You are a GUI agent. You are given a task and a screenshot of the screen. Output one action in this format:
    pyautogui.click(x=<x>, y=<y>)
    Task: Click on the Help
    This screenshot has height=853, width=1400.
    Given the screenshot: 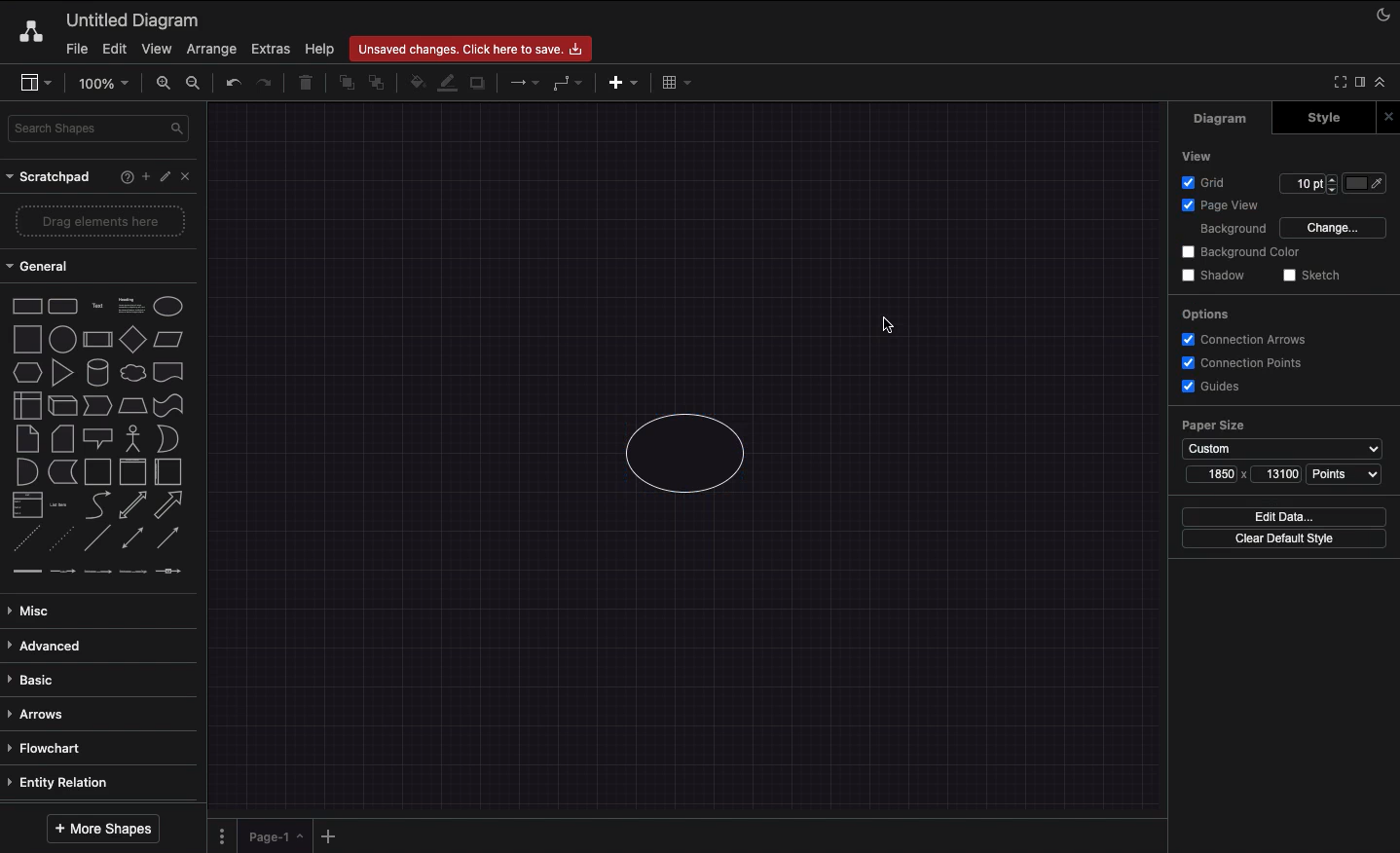 What is the action you would take?
    pyautogui.click(x=123, y=176)
    